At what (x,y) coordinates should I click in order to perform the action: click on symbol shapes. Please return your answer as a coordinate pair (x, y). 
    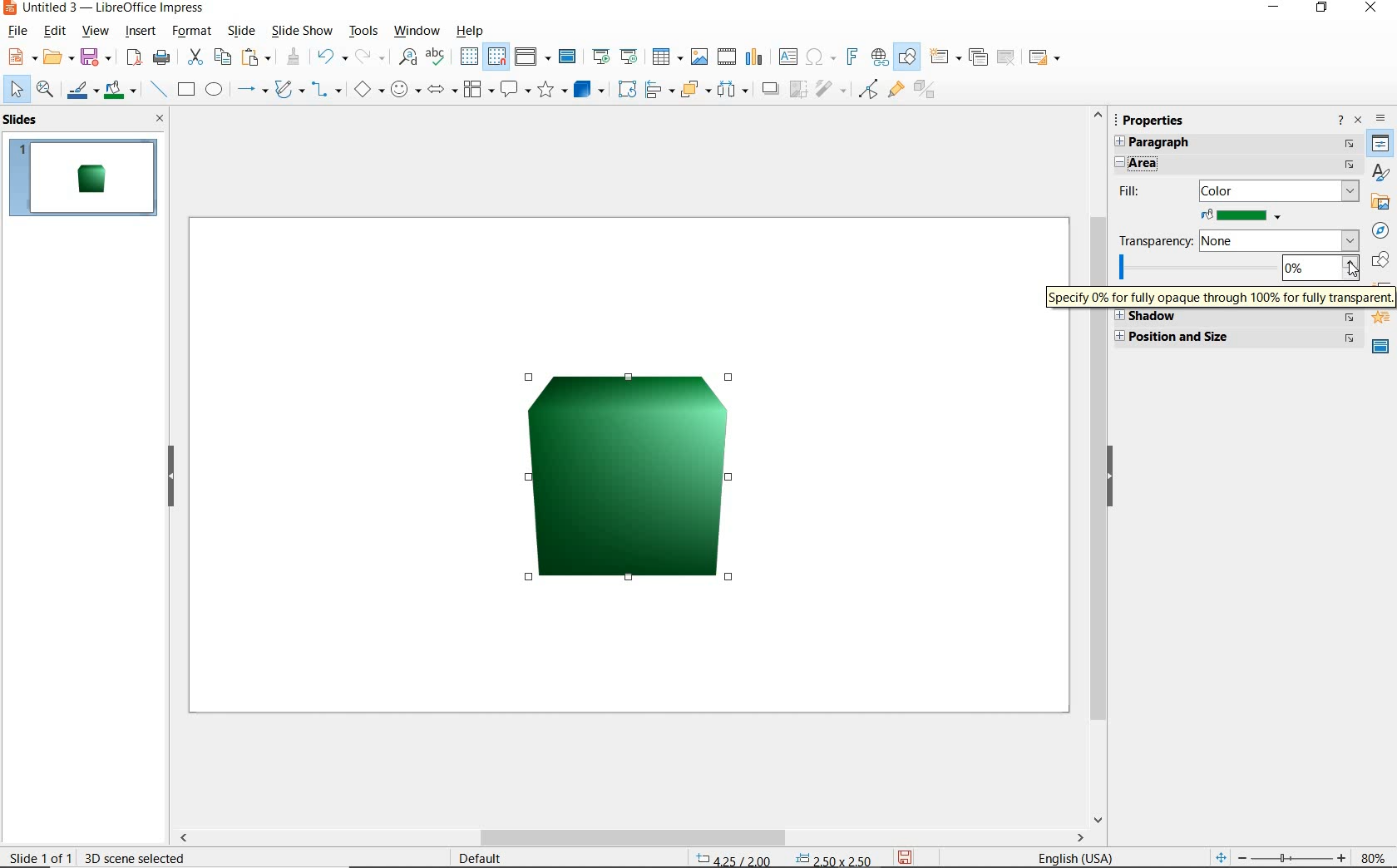
    Looking at the image, I should click on (407, 89).